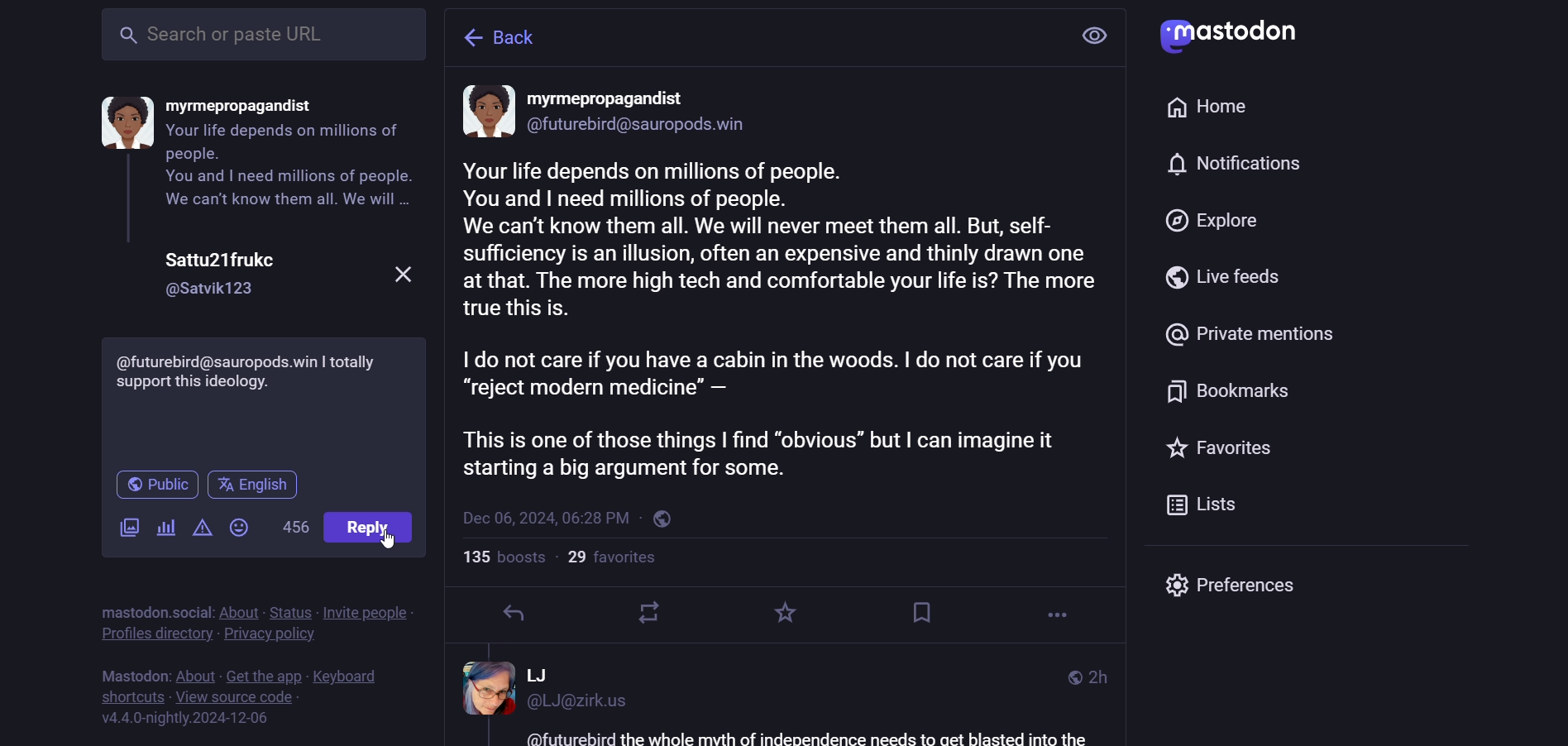  I want to click on poll, so click(162, 525).